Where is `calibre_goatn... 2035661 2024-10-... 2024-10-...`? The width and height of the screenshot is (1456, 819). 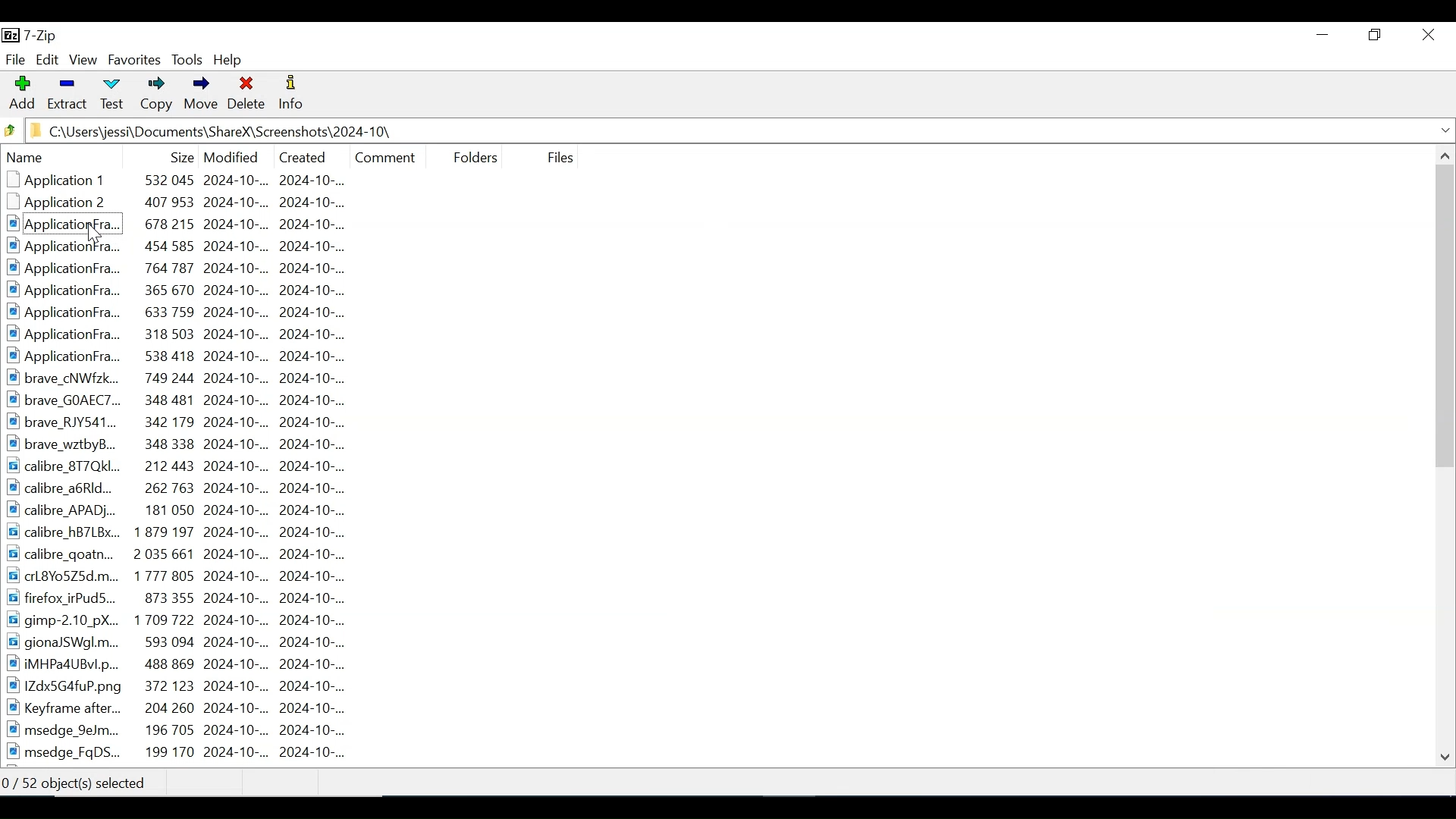
calibre_goatn... 2035661 2024-10-... 2024-10-... is located at coordinates (199, 554).